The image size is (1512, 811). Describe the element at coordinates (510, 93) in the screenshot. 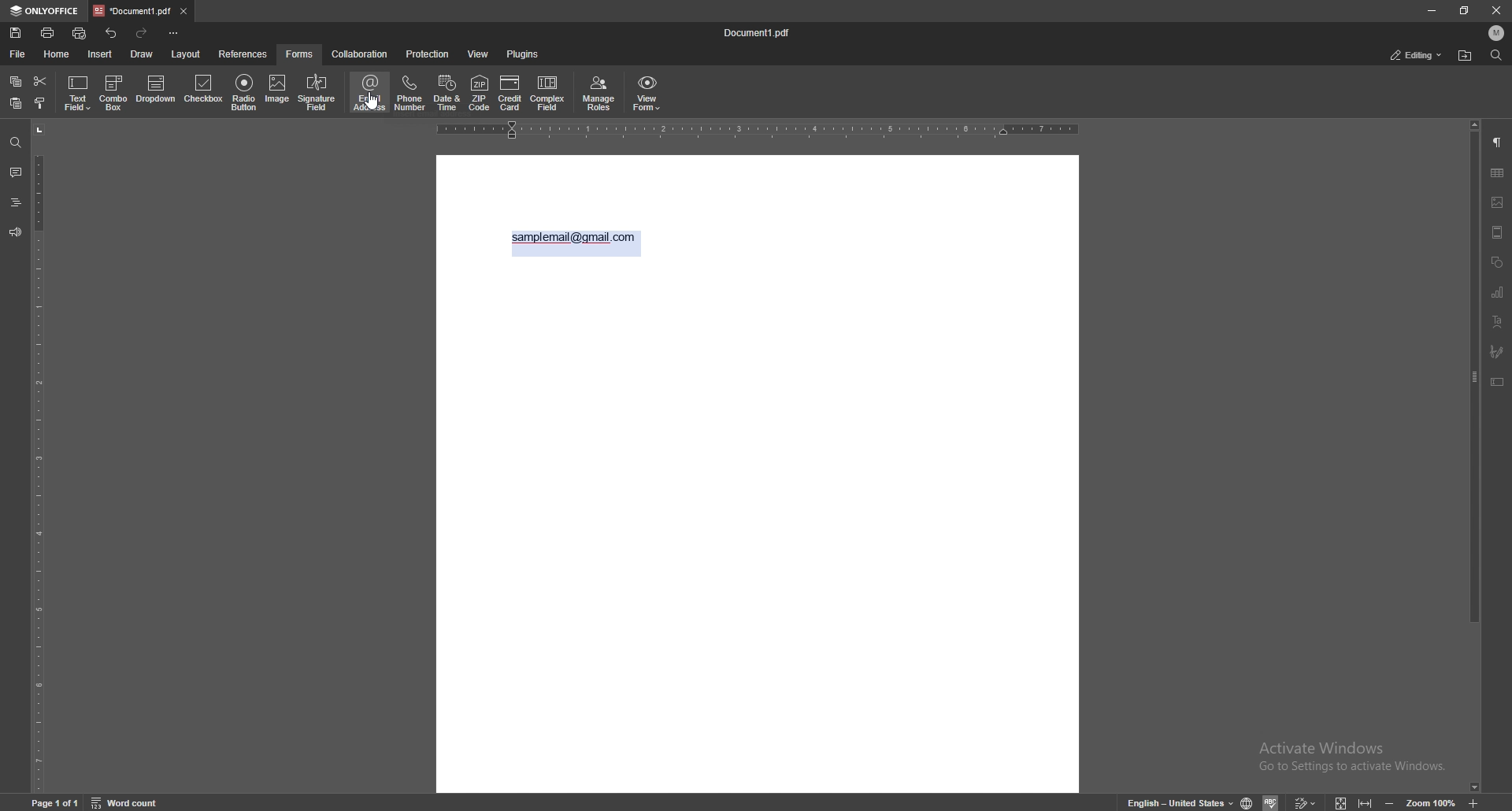

I see `credit card` at that location.